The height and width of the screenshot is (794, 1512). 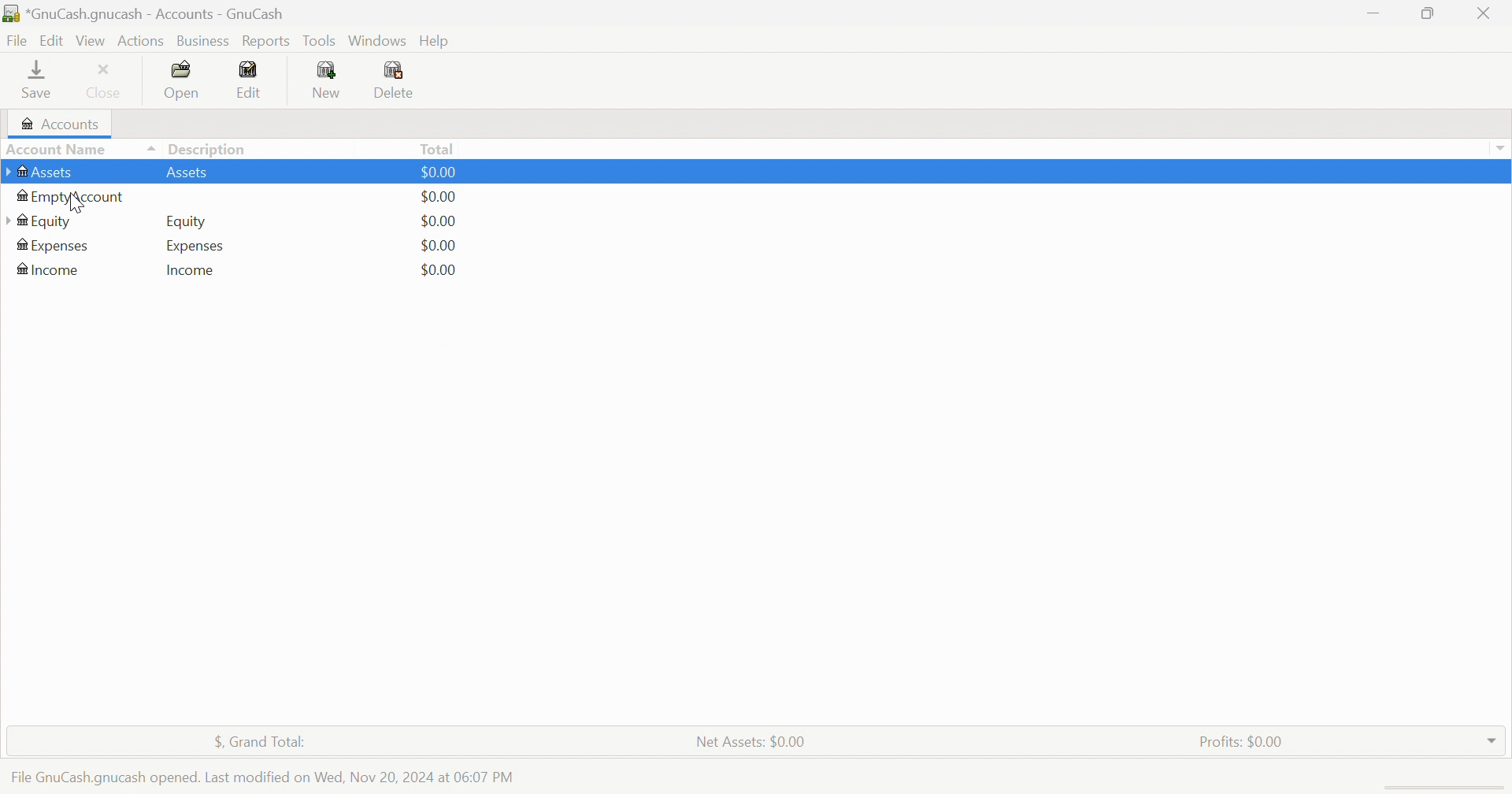 What do you see at coordinates (440, 198) in the screenshot?
I see `$0.00` at bounding box center [440, 198].